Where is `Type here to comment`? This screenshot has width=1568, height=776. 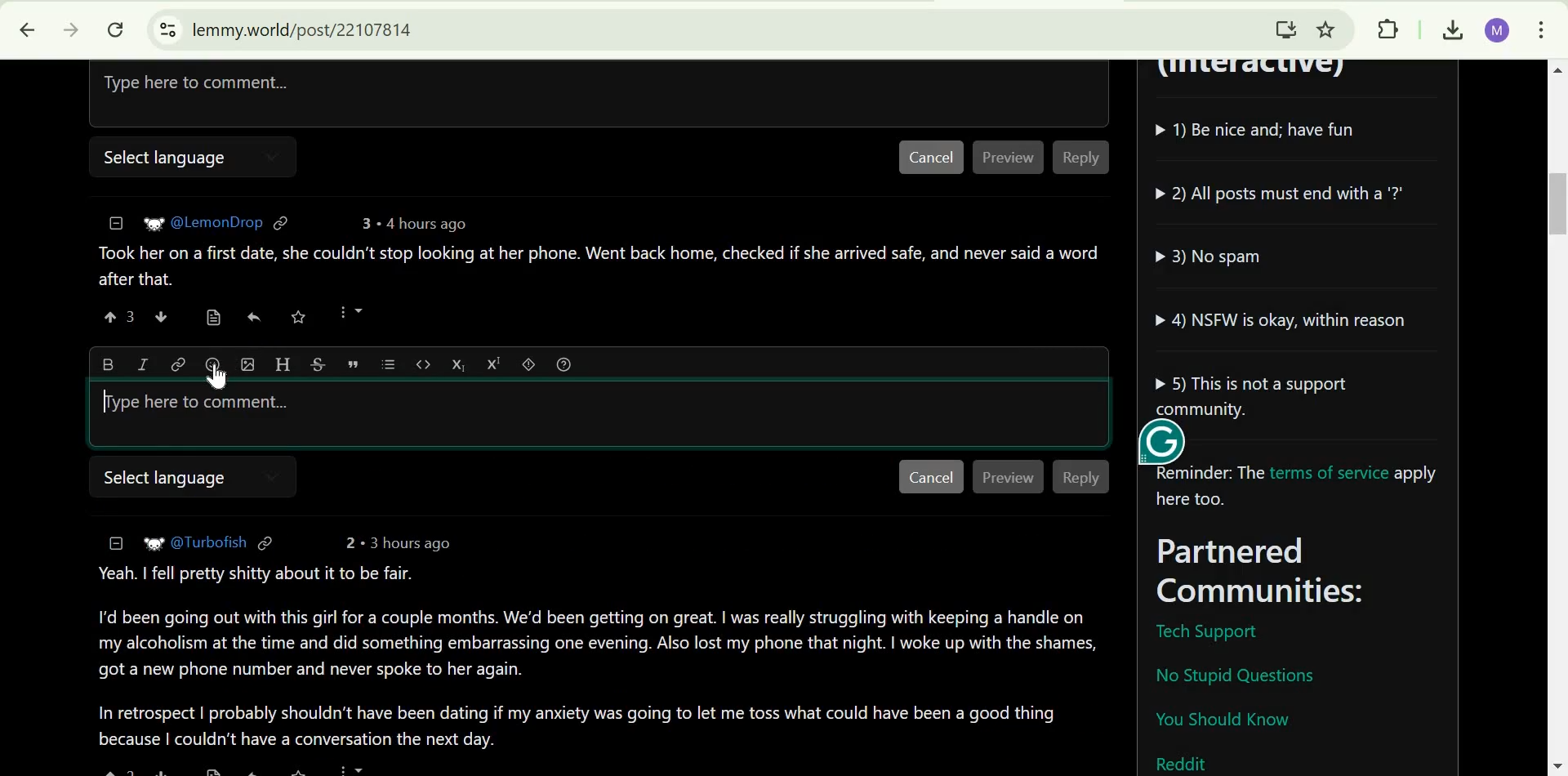
Type here to comment is located at coordinates (199, 406).